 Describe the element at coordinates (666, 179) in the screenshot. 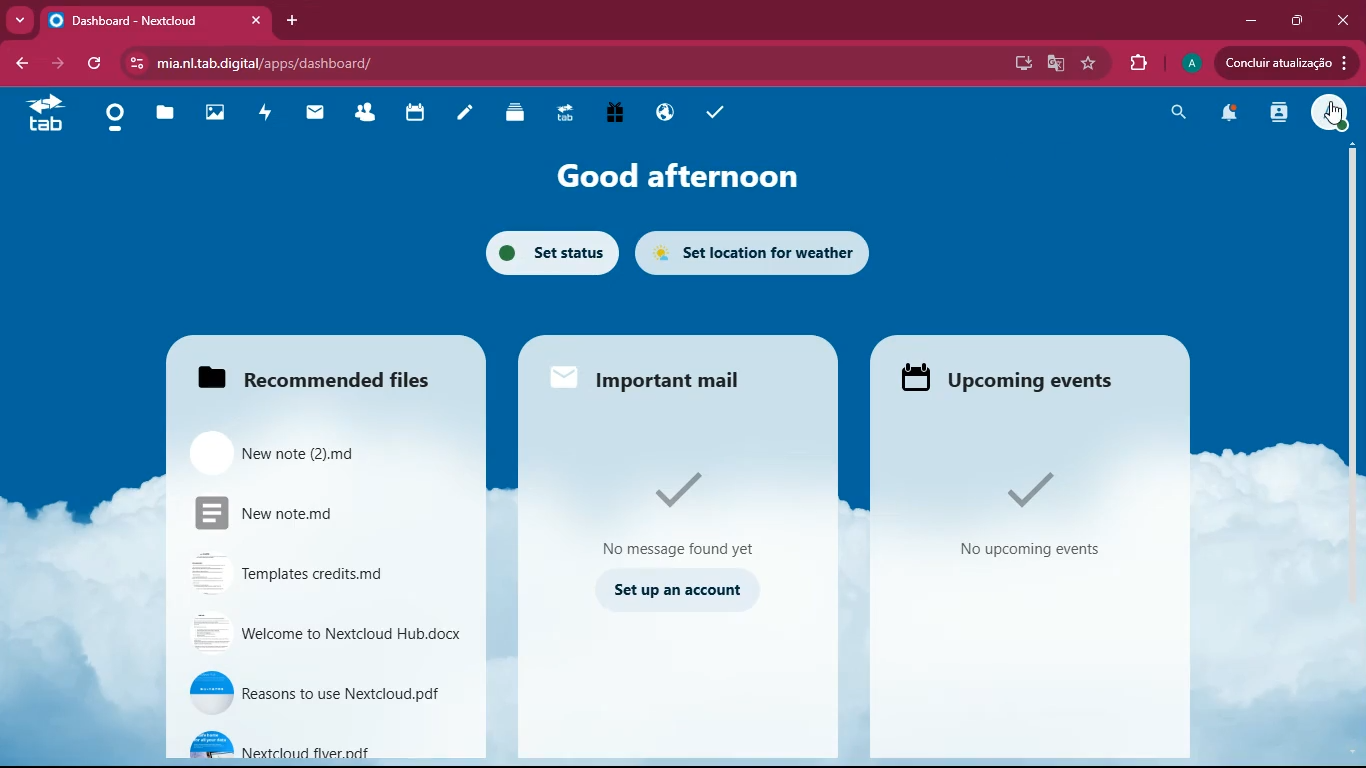

I see `good afternoon` at that location.